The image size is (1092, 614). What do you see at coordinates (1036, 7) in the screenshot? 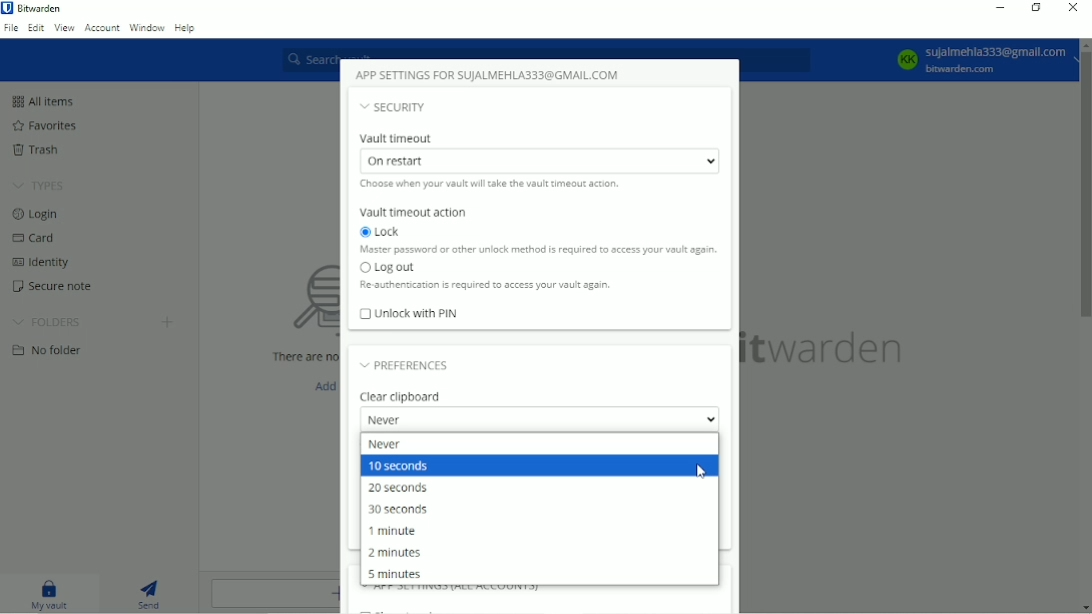
I see `Restore down` at bounding box center [1036, 7].